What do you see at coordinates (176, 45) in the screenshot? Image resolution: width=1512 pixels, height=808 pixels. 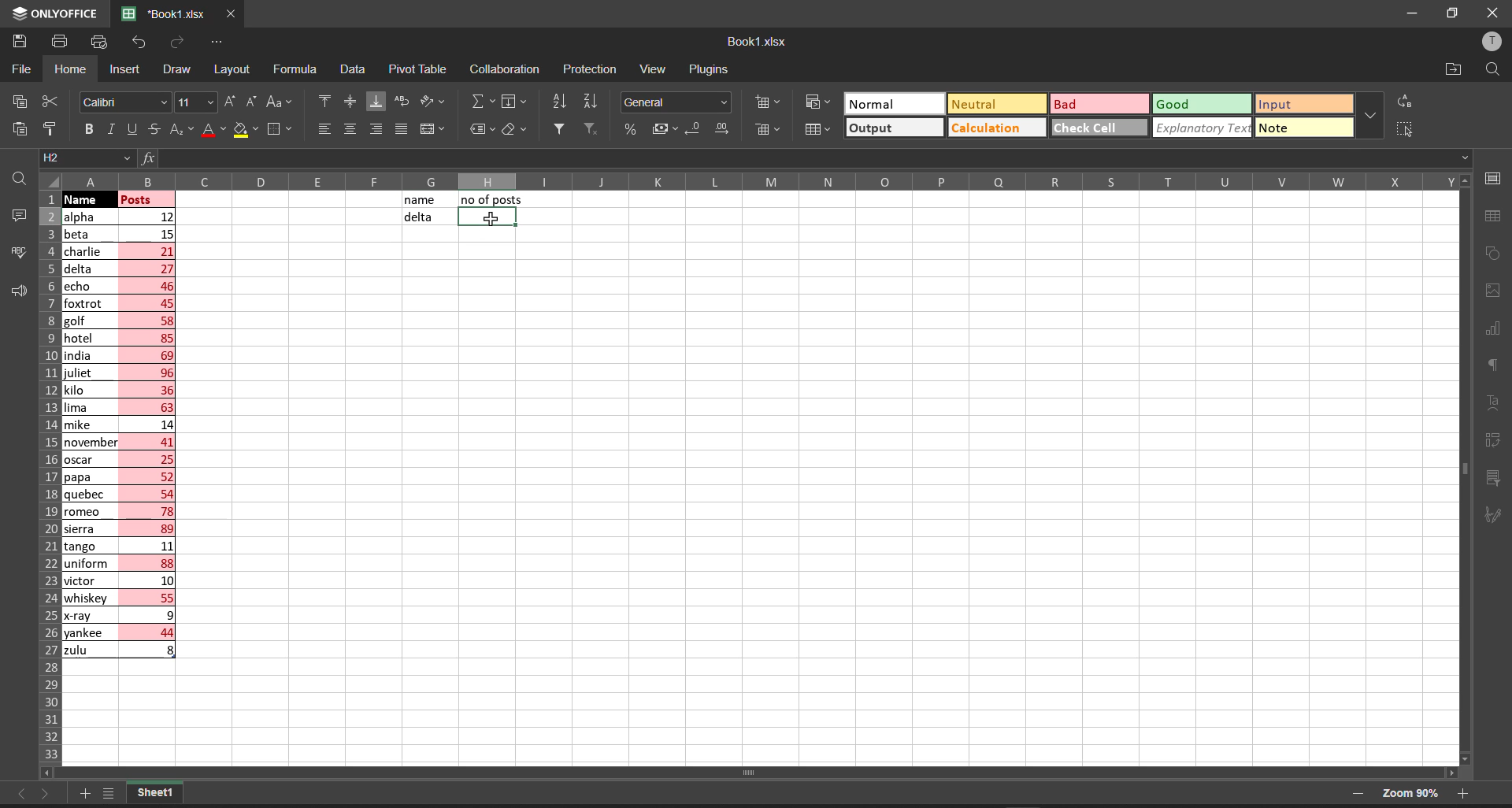 I see `redo` at bounding box center [176, 45].